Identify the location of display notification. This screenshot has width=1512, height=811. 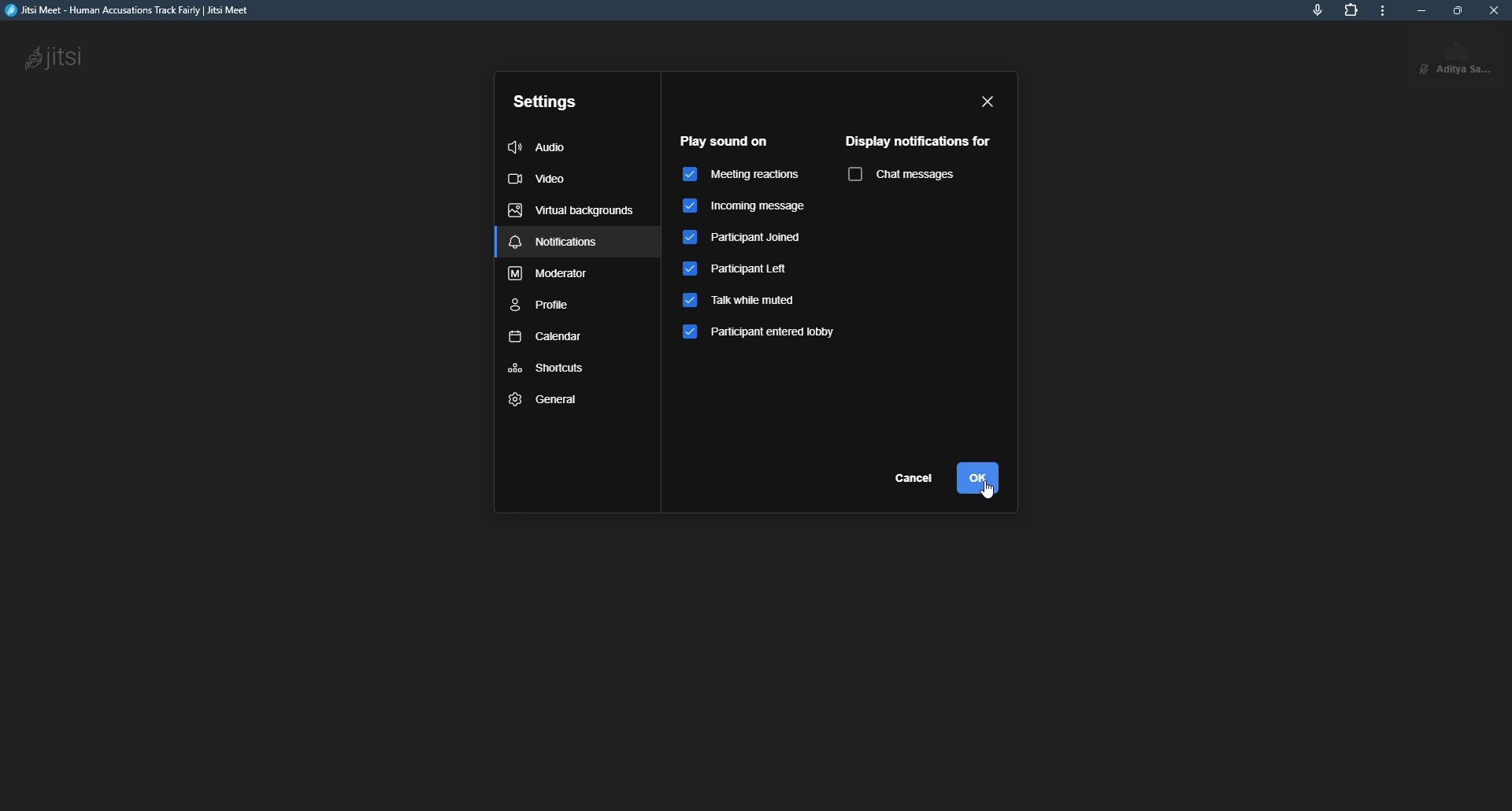
(920, 137).